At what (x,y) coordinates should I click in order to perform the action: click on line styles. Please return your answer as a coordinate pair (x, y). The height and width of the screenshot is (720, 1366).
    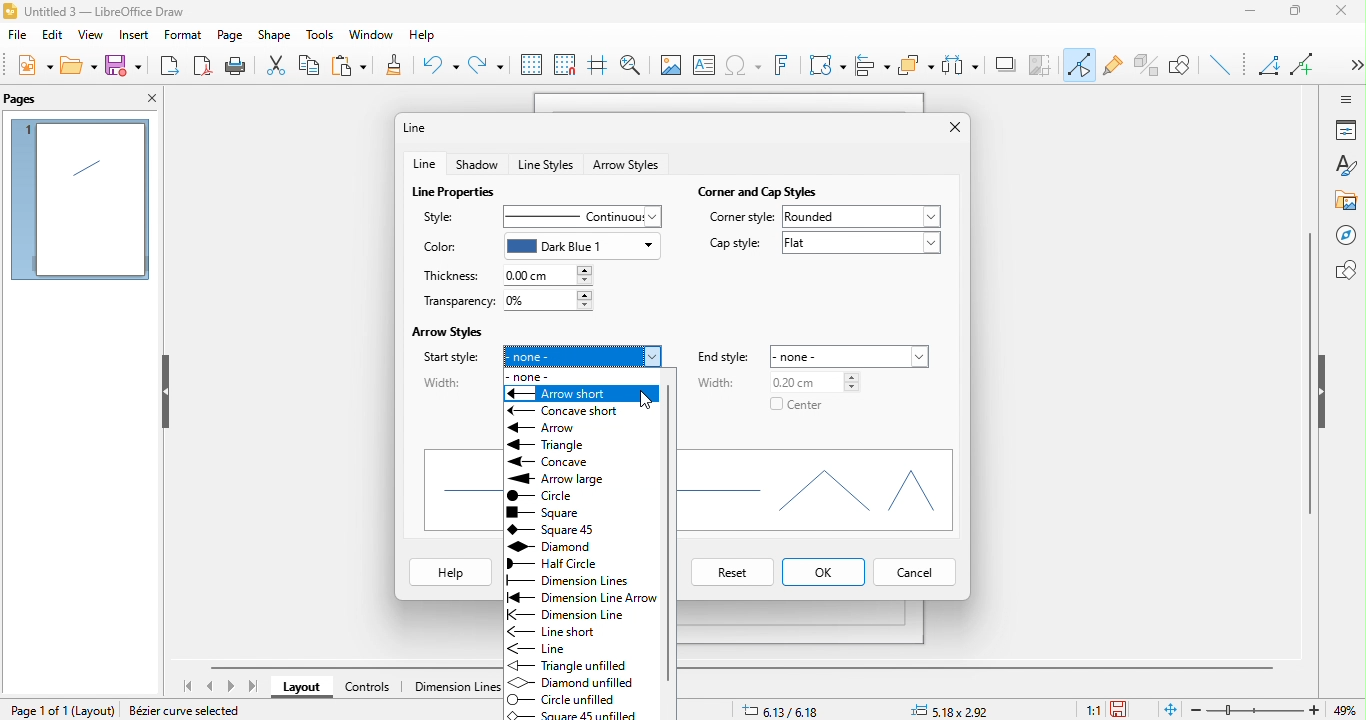
    Looking at the image, I should click on (546, 164).